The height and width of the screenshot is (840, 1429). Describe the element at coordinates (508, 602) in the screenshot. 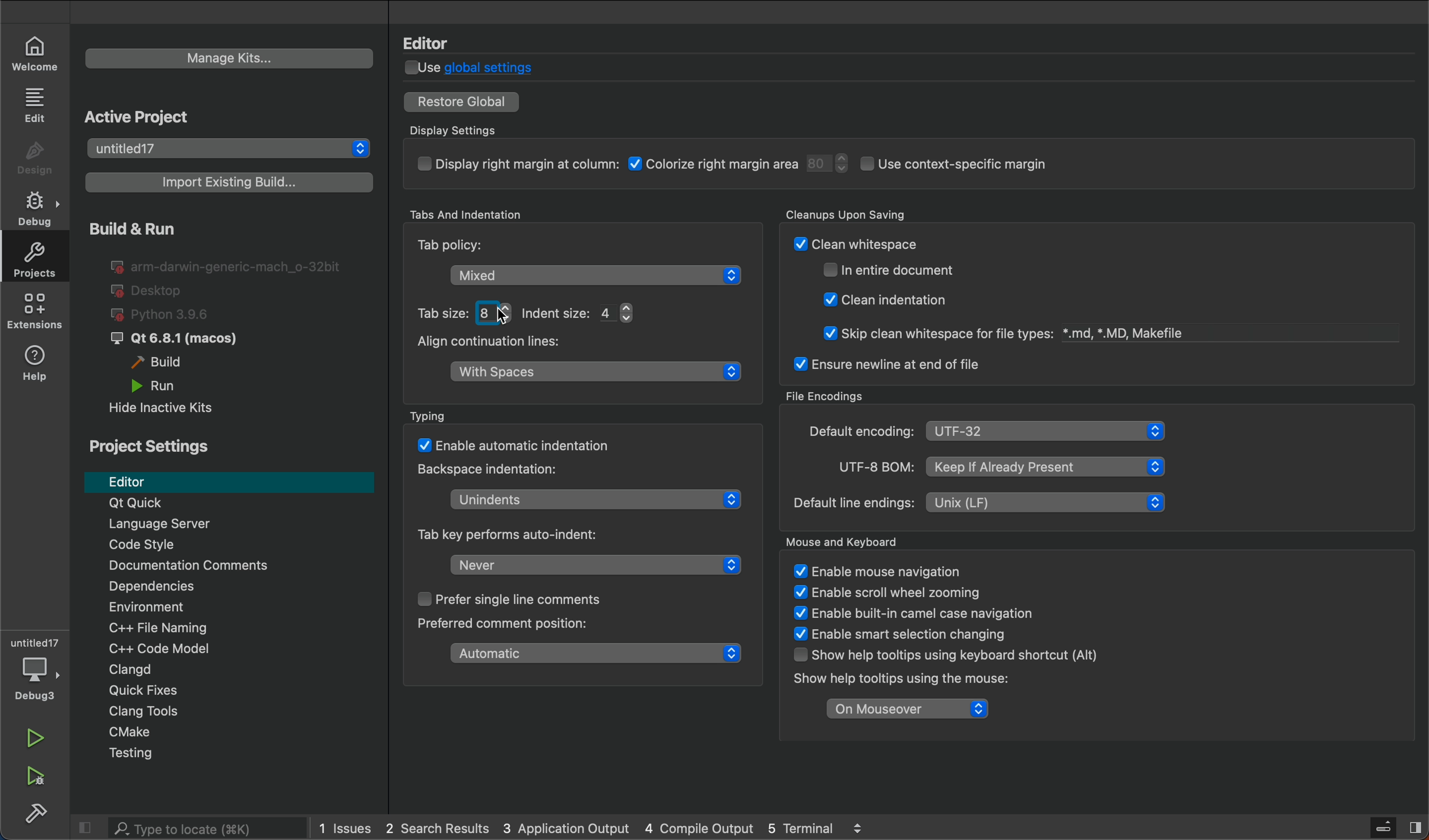

I see `prefer single line comment` at that location.